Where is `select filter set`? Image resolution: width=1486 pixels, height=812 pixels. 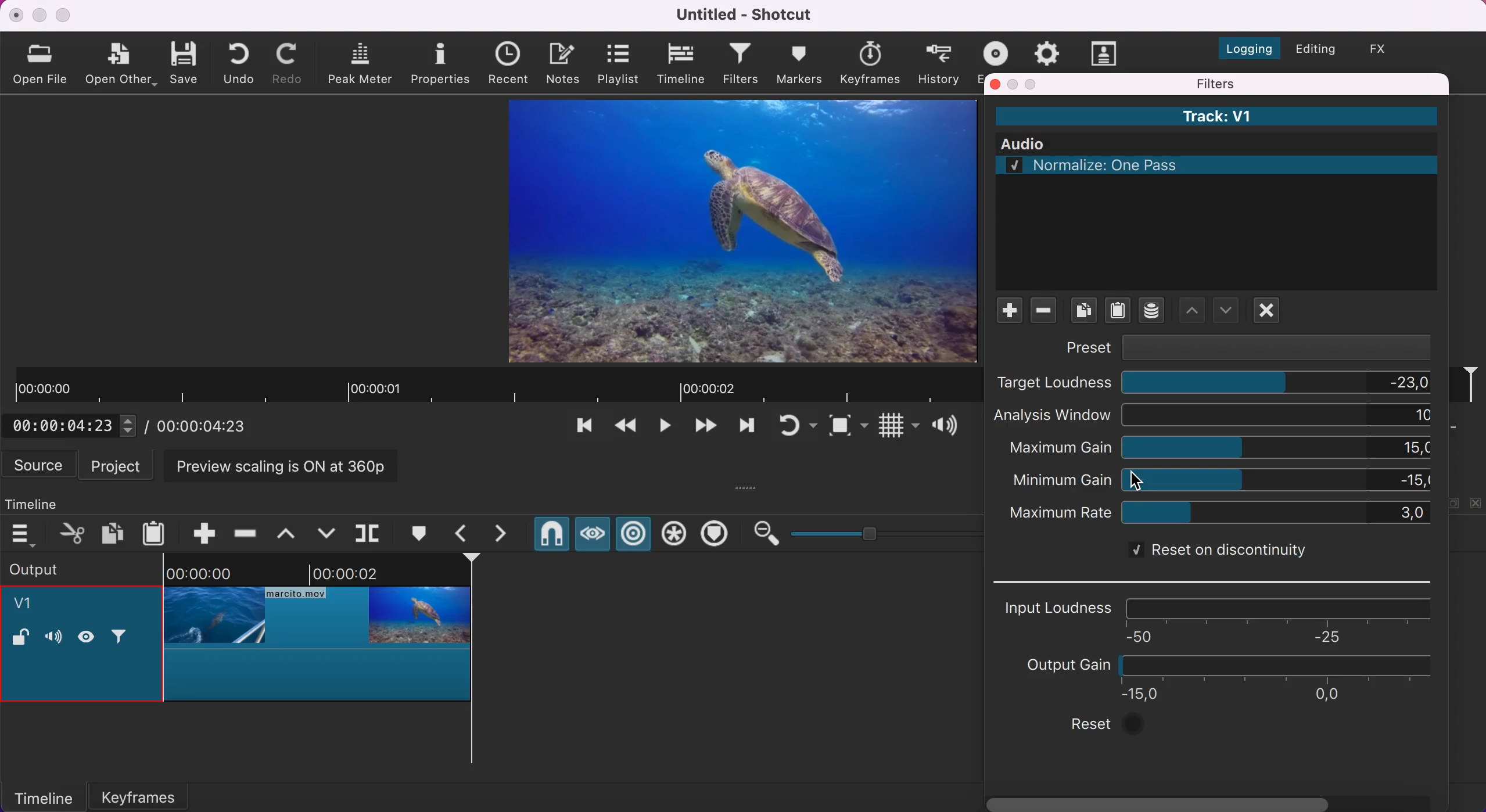
select filter set is located at coordinates (1151, 311).